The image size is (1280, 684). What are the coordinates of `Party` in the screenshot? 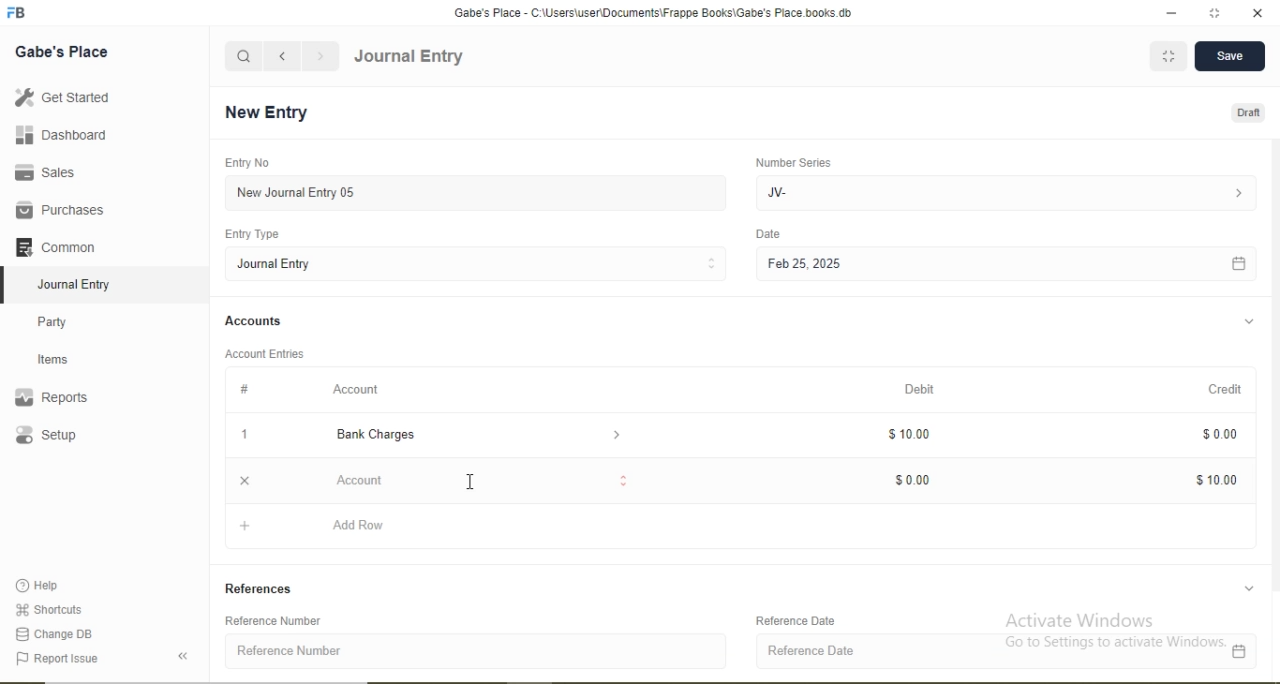 It's located at (66, 320).